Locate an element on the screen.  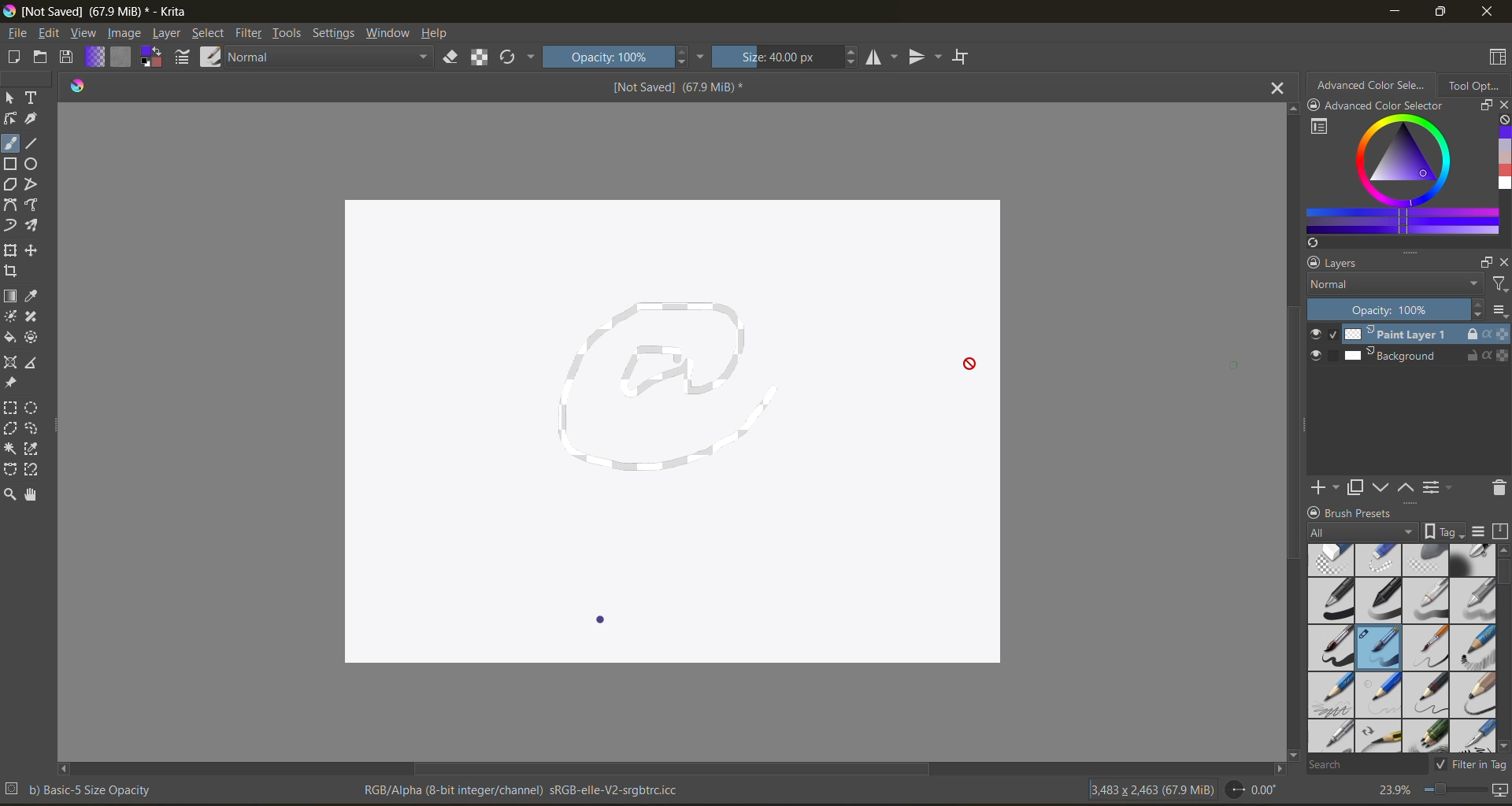
pencil is located at coordinates (1329, 737).